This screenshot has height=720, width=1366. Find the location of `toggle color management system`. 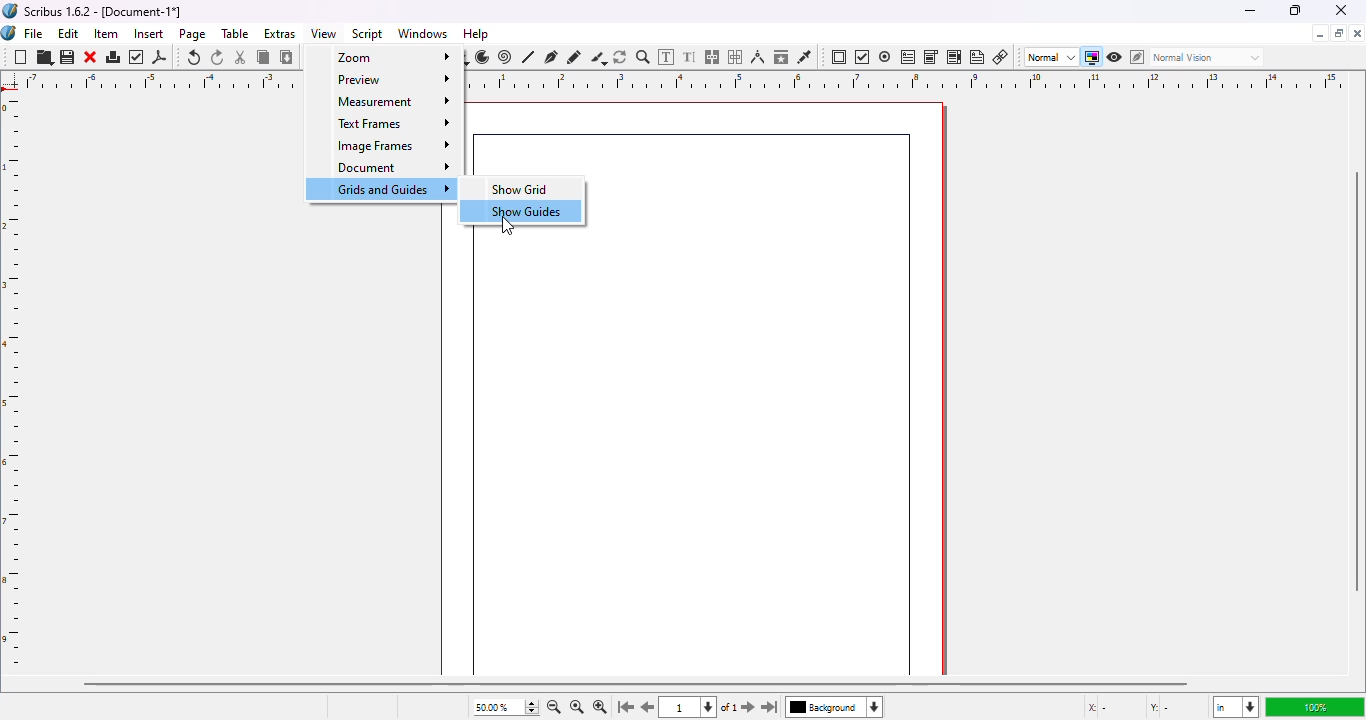

toggle color management system is located at coordinates (1091, 57).